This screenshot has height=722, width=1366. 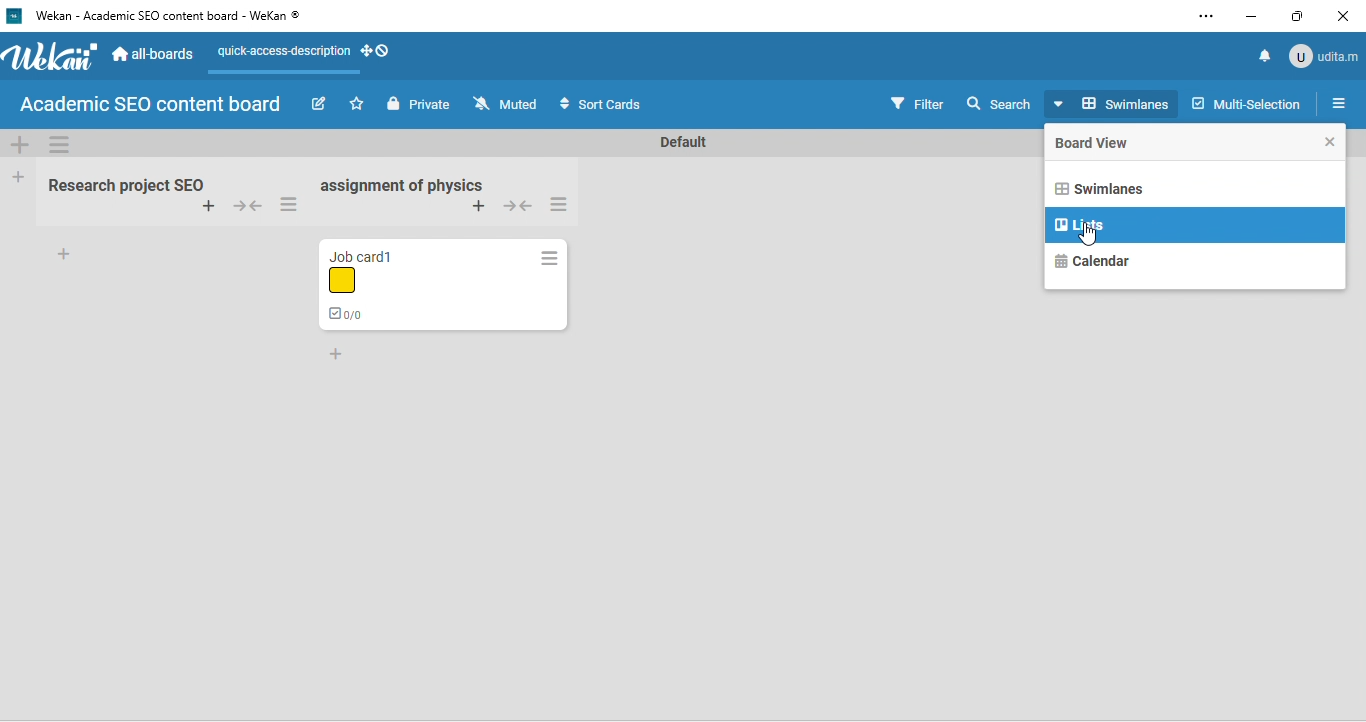 I want to click on Swimlanes, so click(x=1099, y=187).